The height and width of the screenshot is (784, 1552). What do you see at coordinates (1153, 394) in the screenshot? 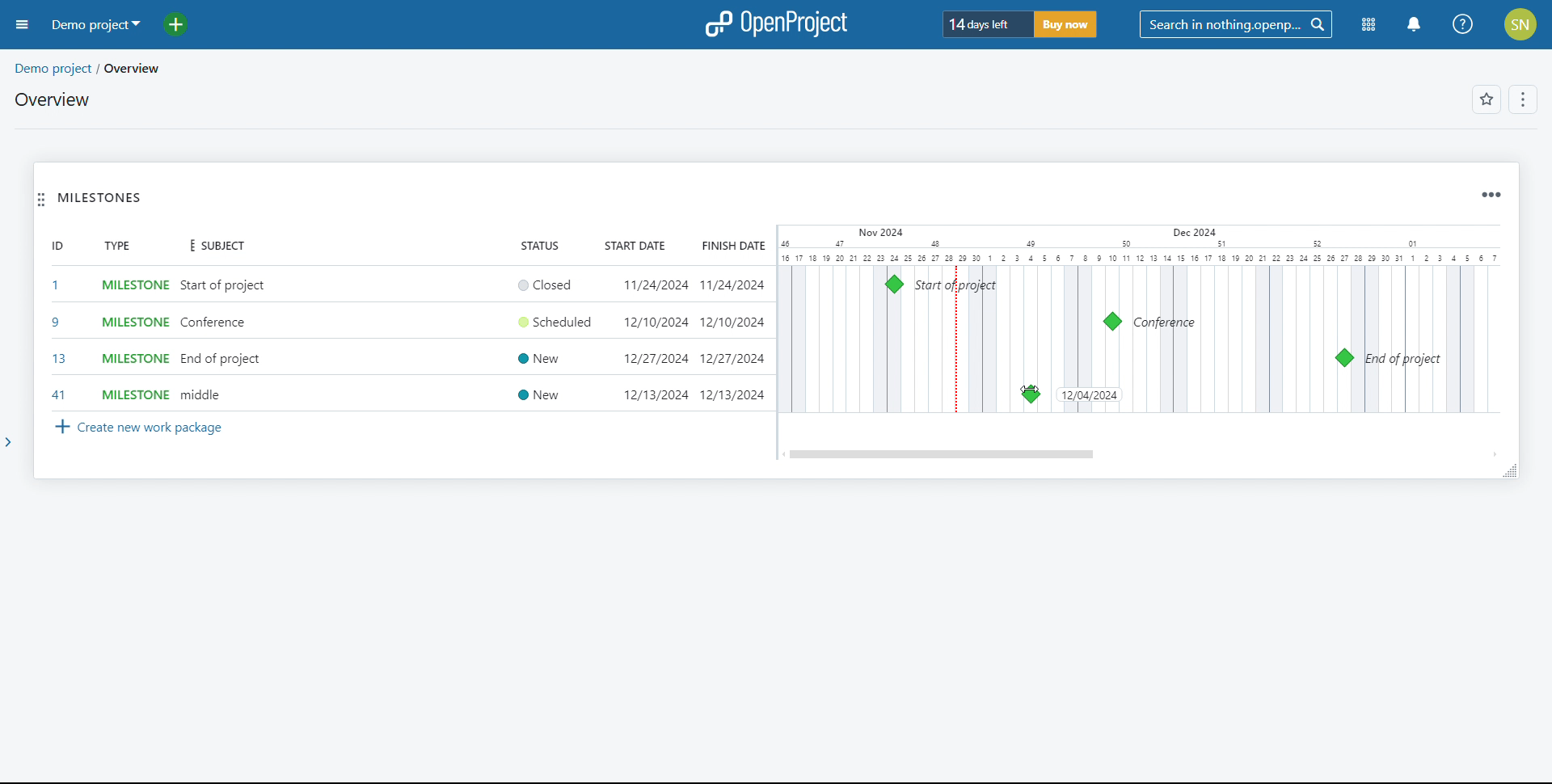
I see `milestone 41` at bounding box center [1153, 394].